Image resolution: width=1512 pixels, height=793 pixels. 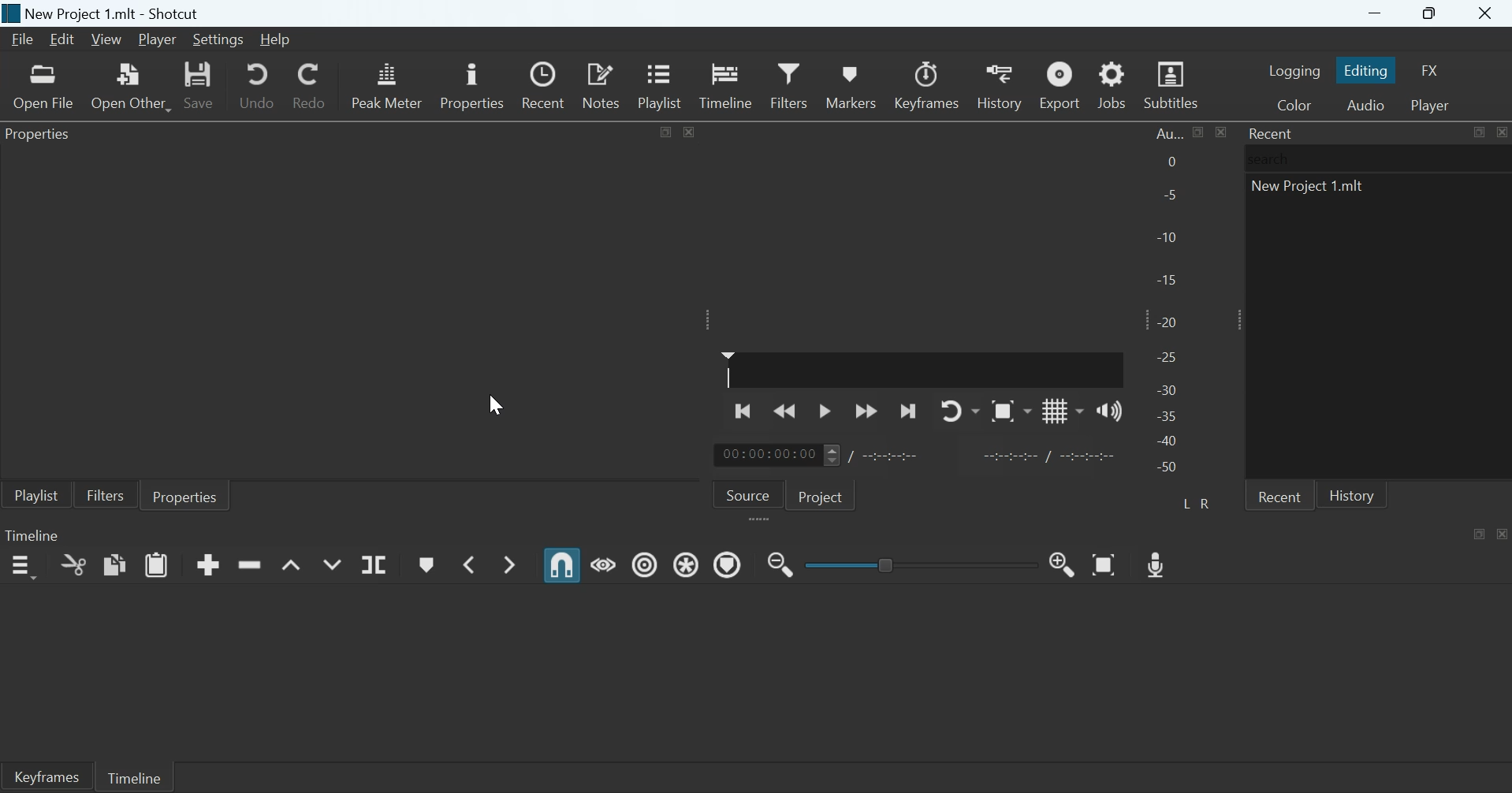 What do you see at coordinates (1173, 85) in the screenshot?
I see `Subtitles` at bounding box center [1173, 85].